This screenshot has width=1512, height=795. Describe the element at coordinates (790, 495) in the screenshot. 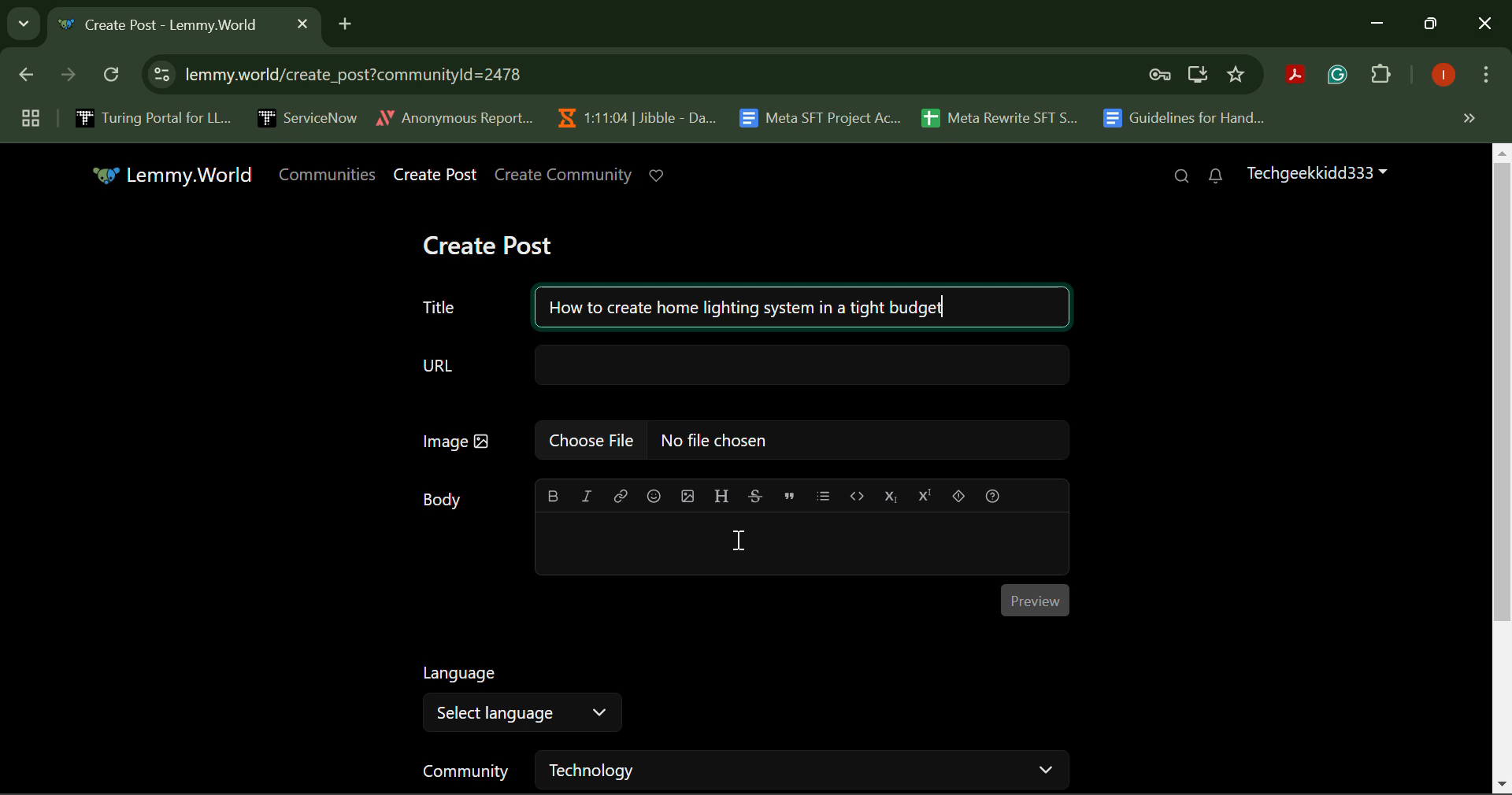

I see `quote` at that location.